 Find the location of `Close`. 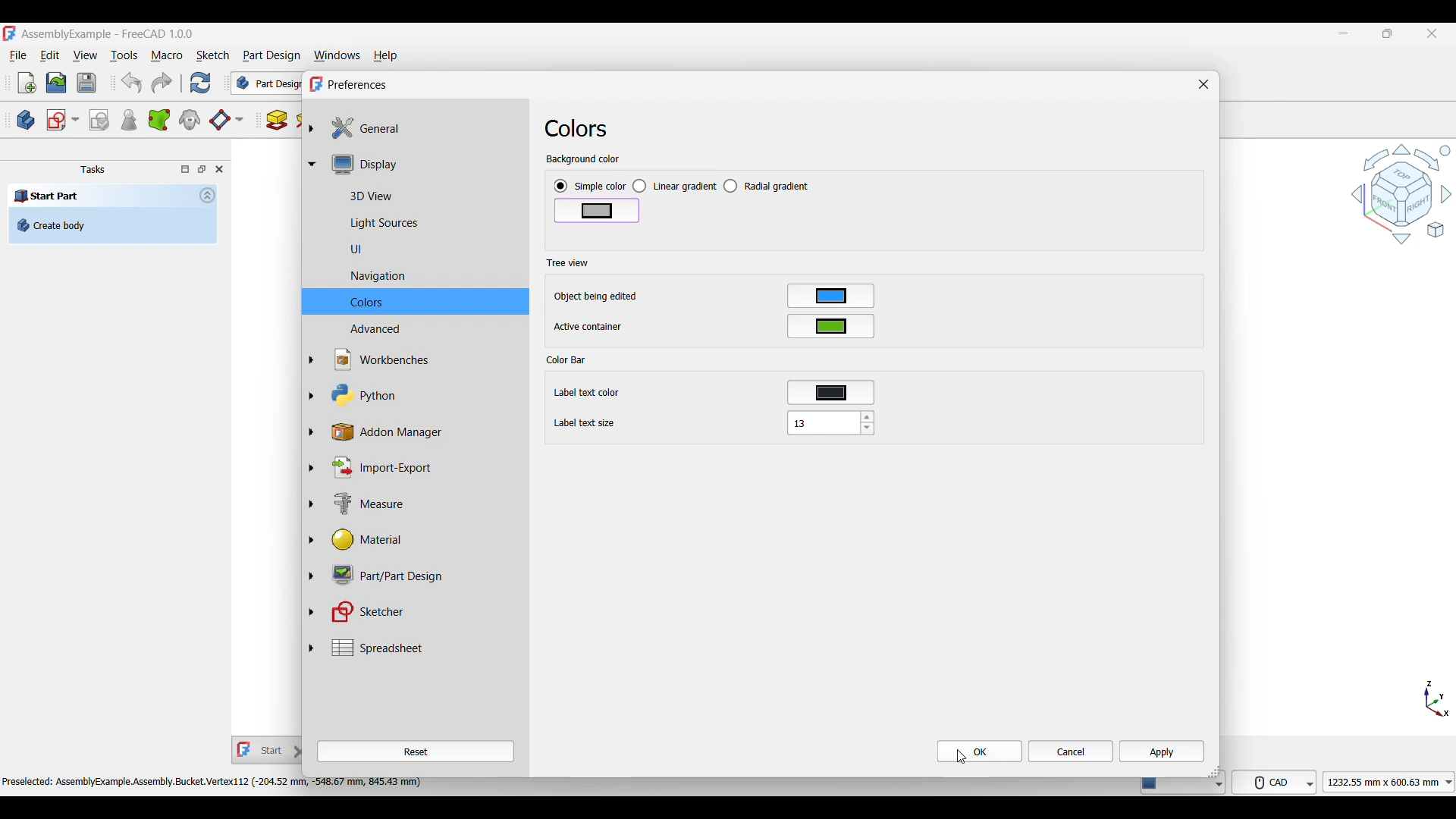

Close is located at coordinates (219, 169).